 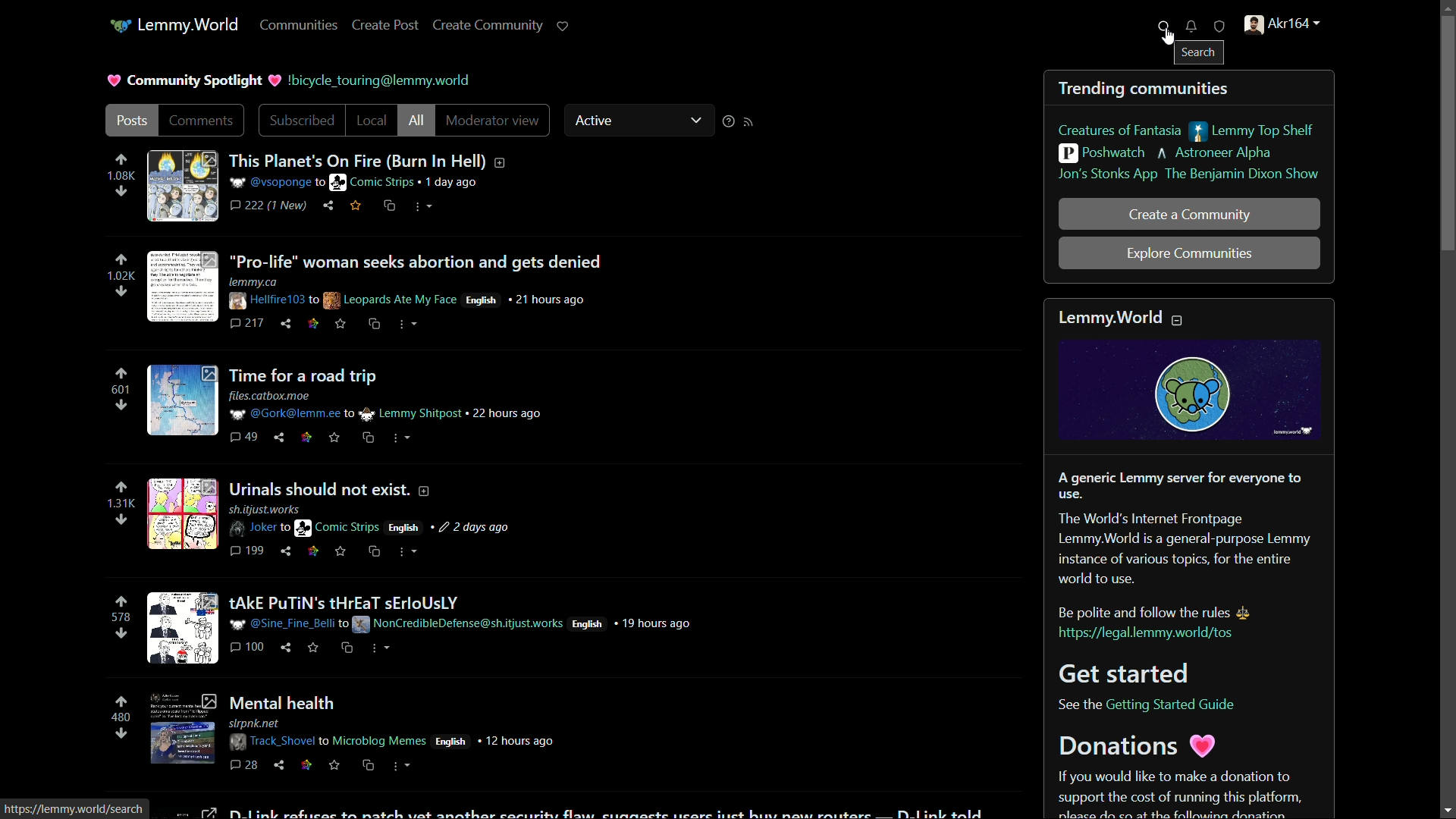 I want to click on search, so click(x=1164, y=25).